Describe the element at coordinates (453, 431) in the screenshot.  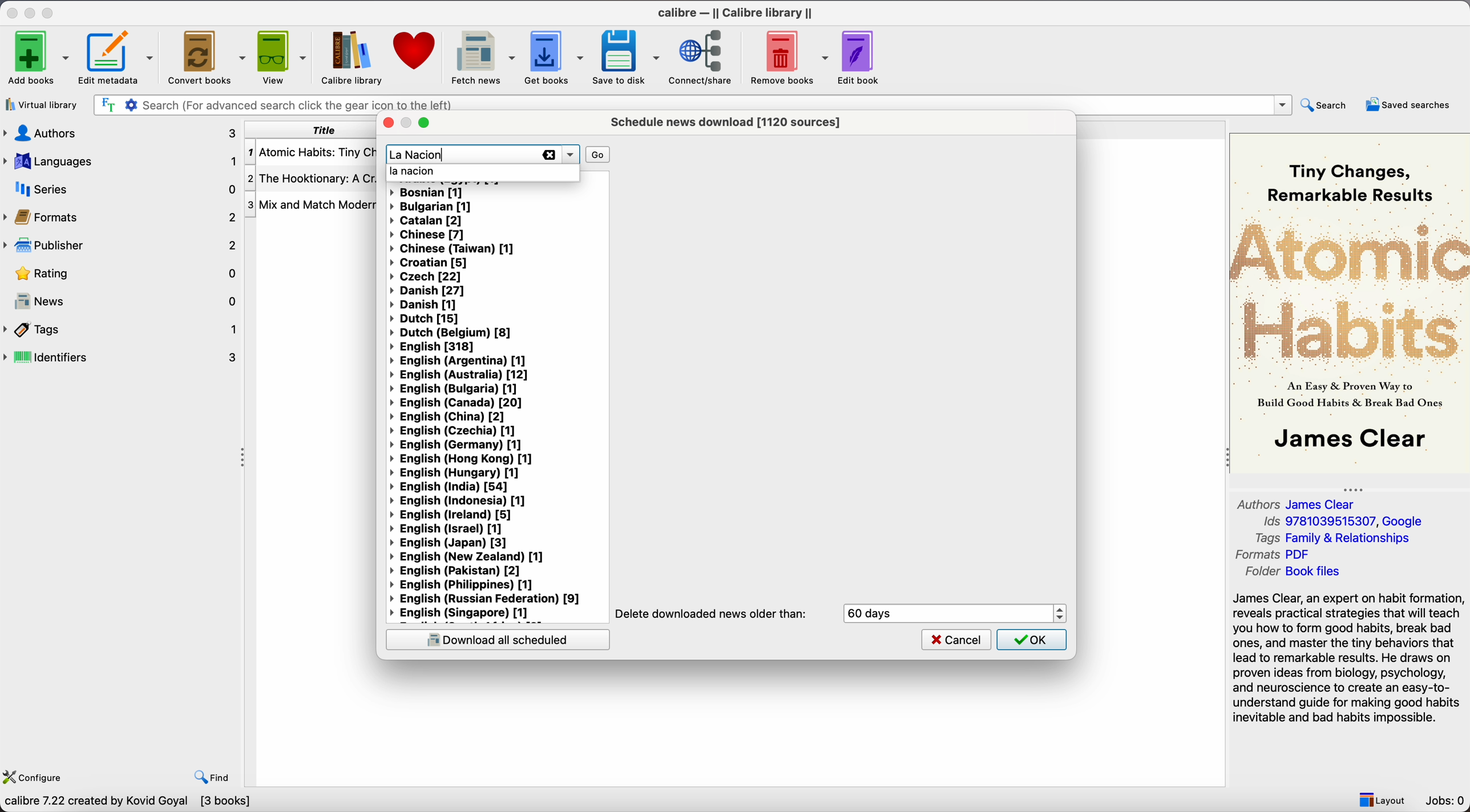
I see `English (Czechia) [1]` at that location.